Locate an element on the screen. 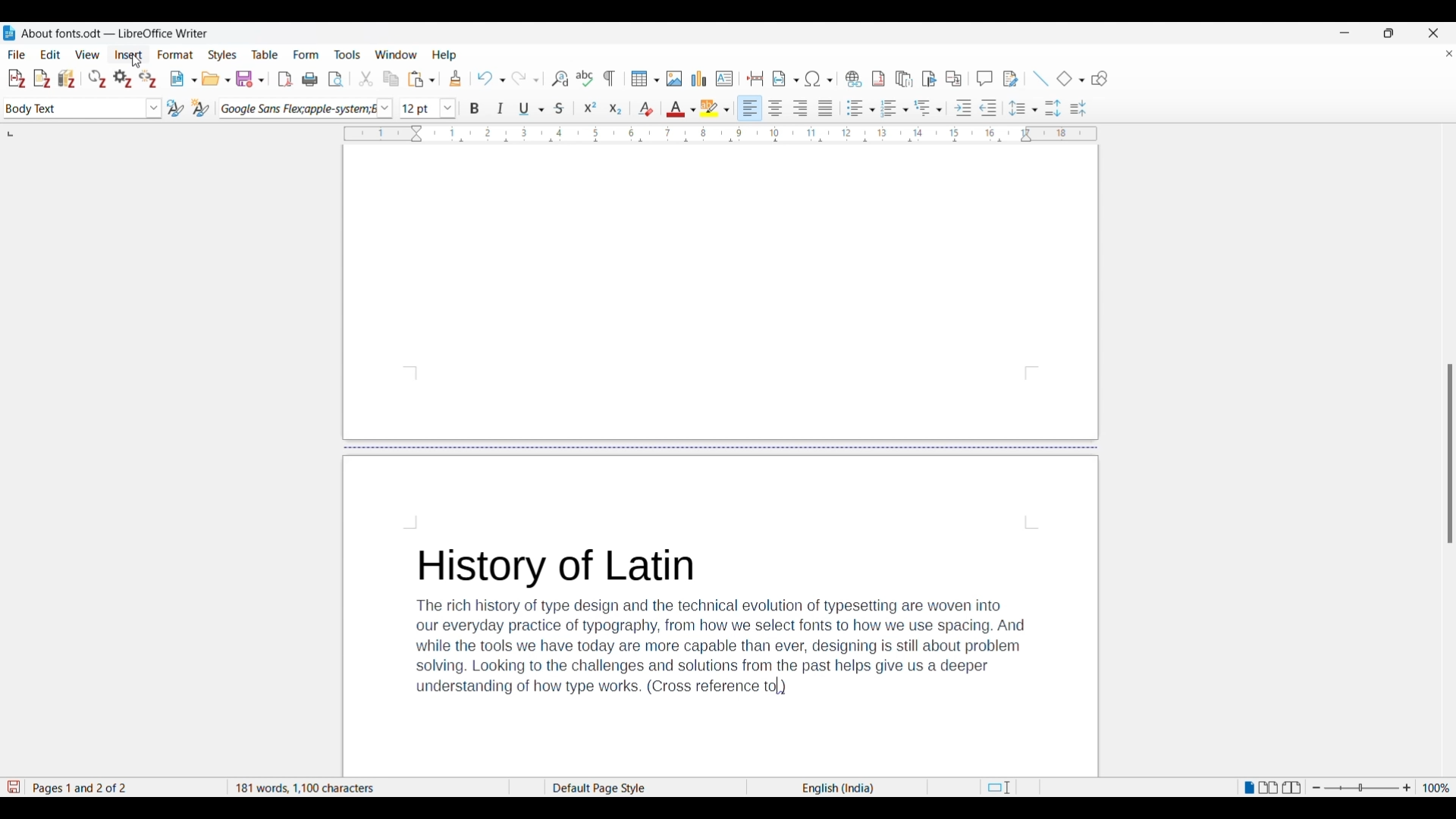 Image resolution: width=1456 pixels, height=819 pixels. Toggle ordered list is located at coordinates (894, 108).